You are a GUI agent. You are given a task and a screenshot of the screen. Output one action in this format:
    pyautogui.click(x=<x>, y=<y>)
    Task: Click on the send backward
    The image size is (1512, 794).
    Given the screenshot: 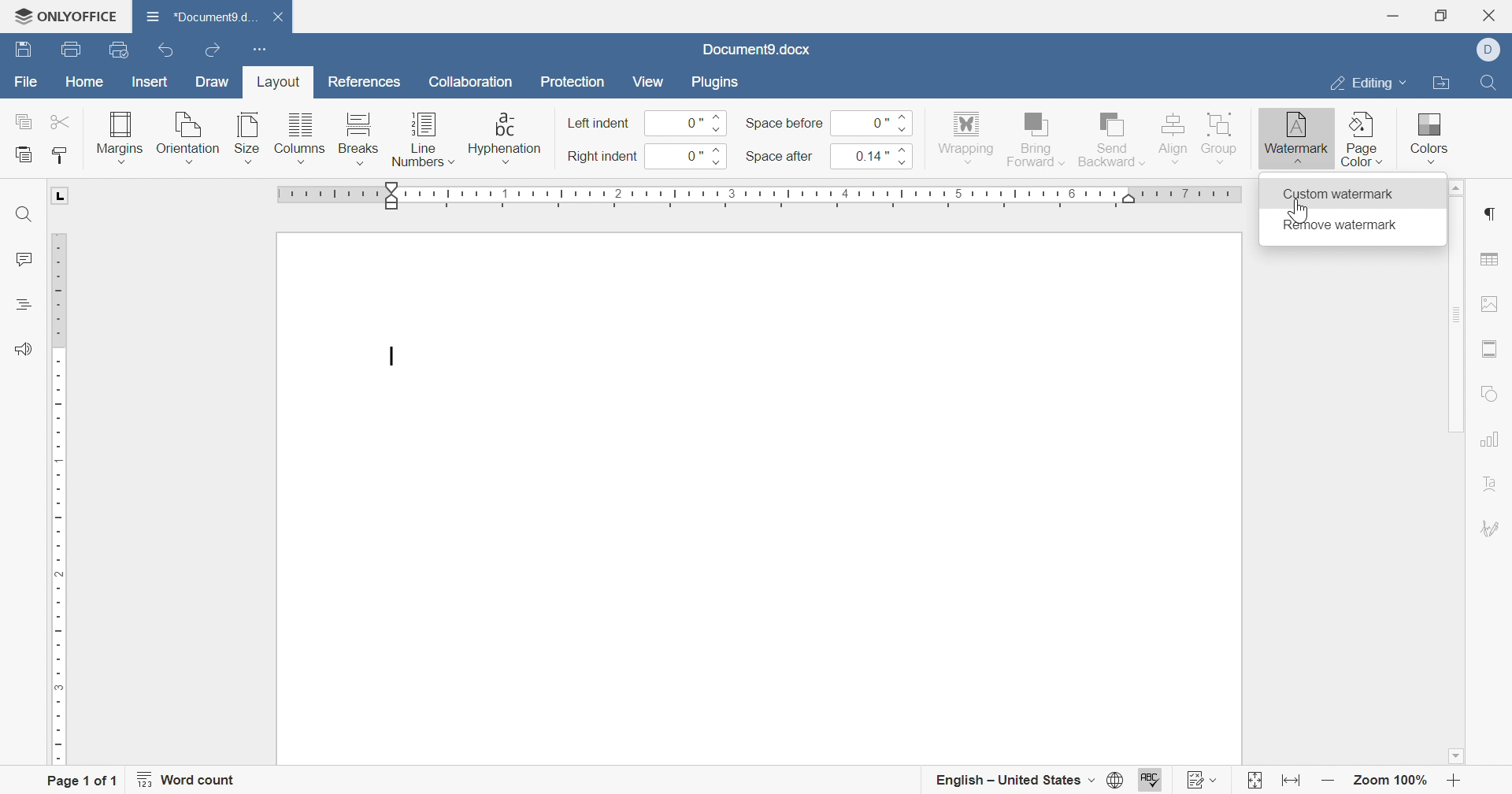 What is the action you would take?
    pyautogui.click(x=1113, y=137)
    